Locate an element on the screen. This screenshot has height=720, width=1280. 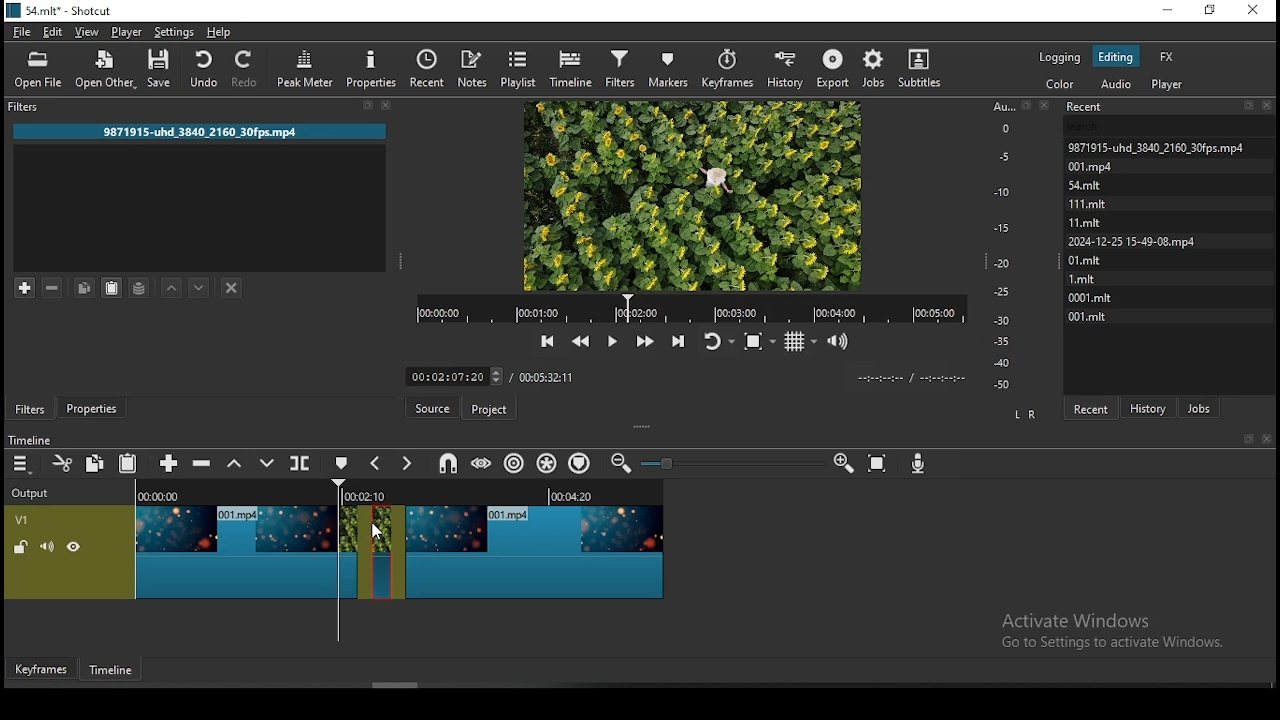
zoom timeline in is located at coordinates (626, 462).